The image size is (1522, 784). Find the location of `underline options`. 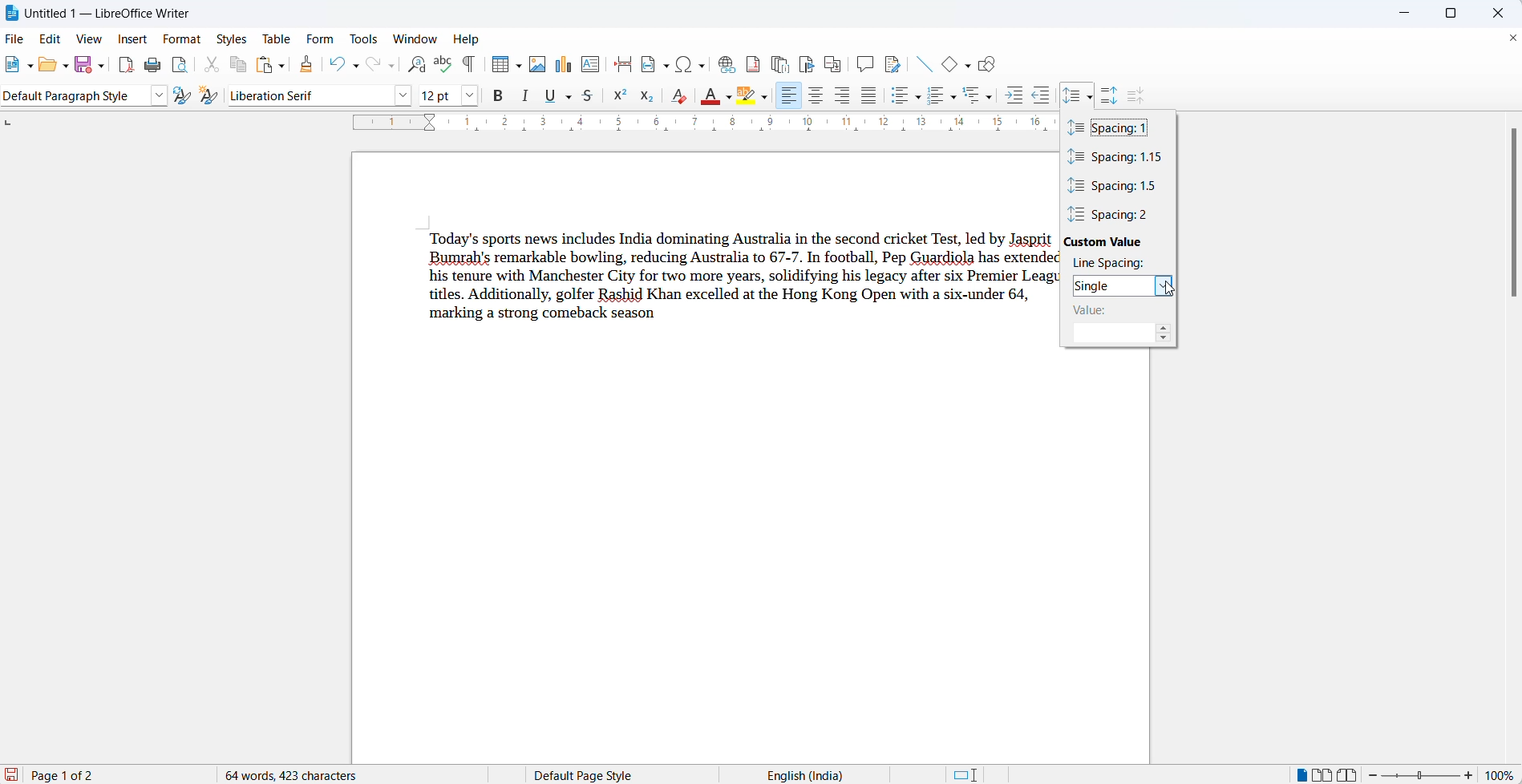

underline options is located at coordinates (569, 98).